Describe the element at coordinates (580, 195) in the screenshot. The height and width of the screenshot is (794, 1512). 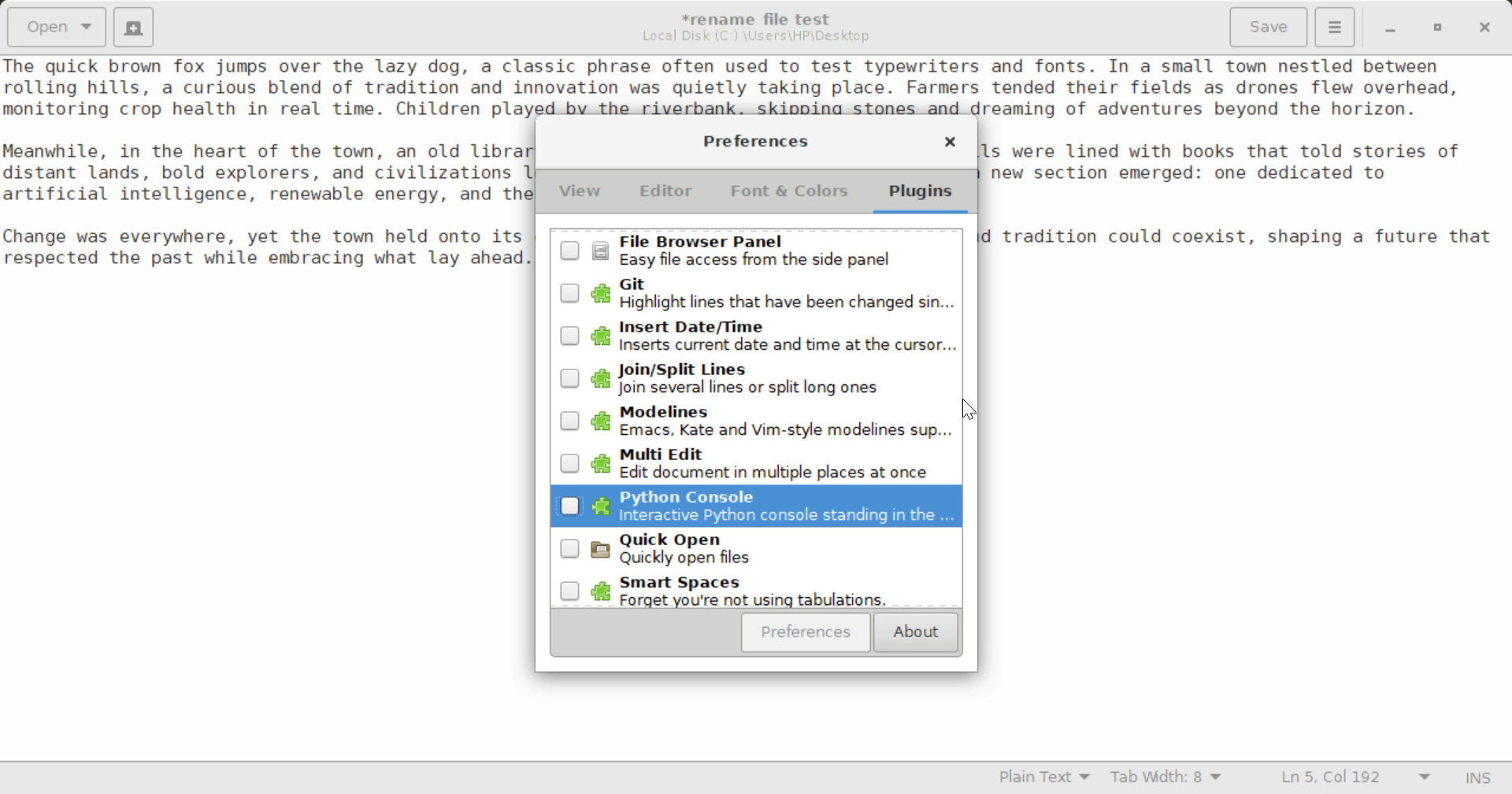
I see `View Tab` at that location.